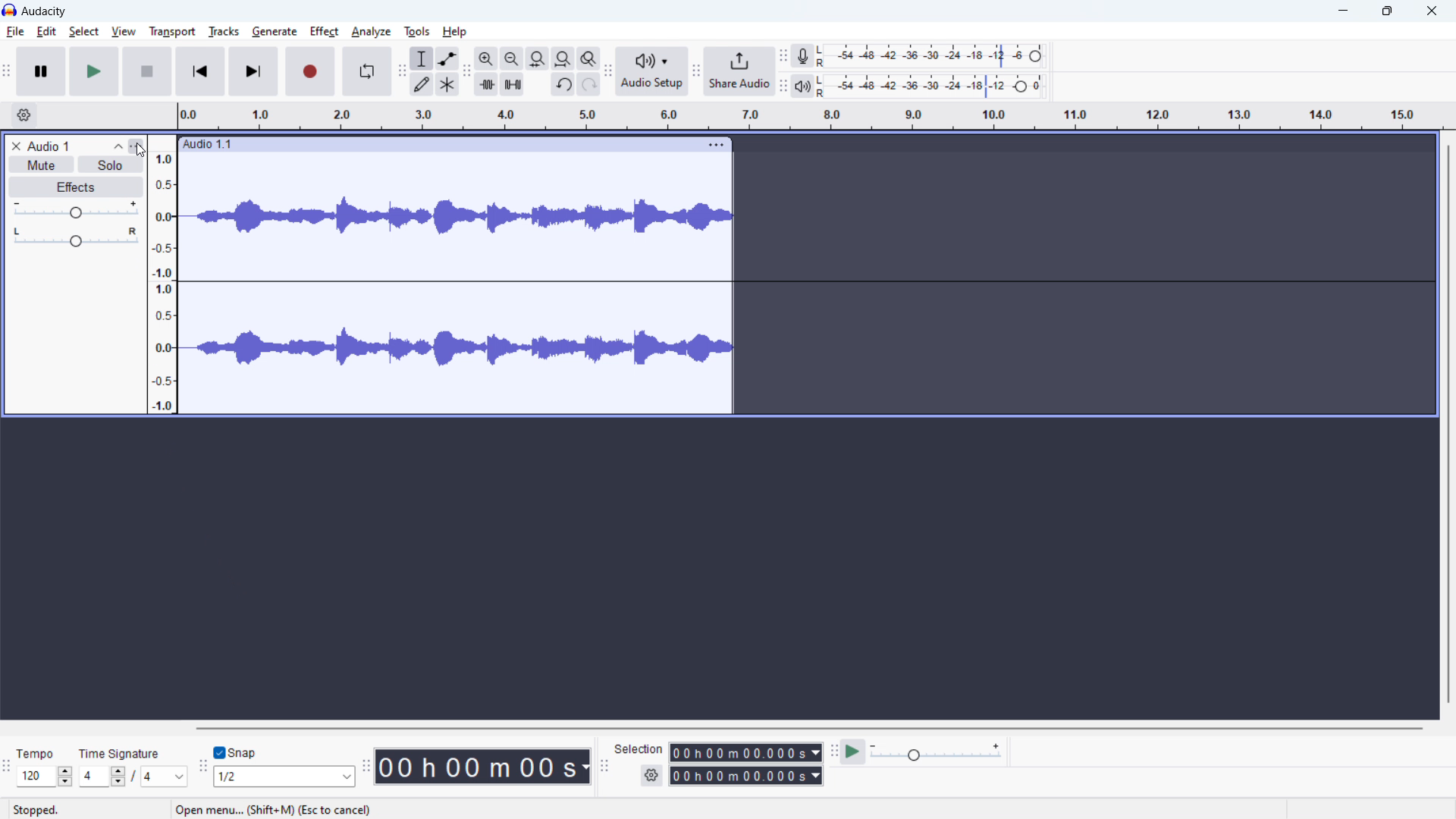 The height and width of the screenshot is (819, 1456). What do you see at coordinates (142, 150) in the screenshot?
I see `cursor` at bounding box center [142, 150].